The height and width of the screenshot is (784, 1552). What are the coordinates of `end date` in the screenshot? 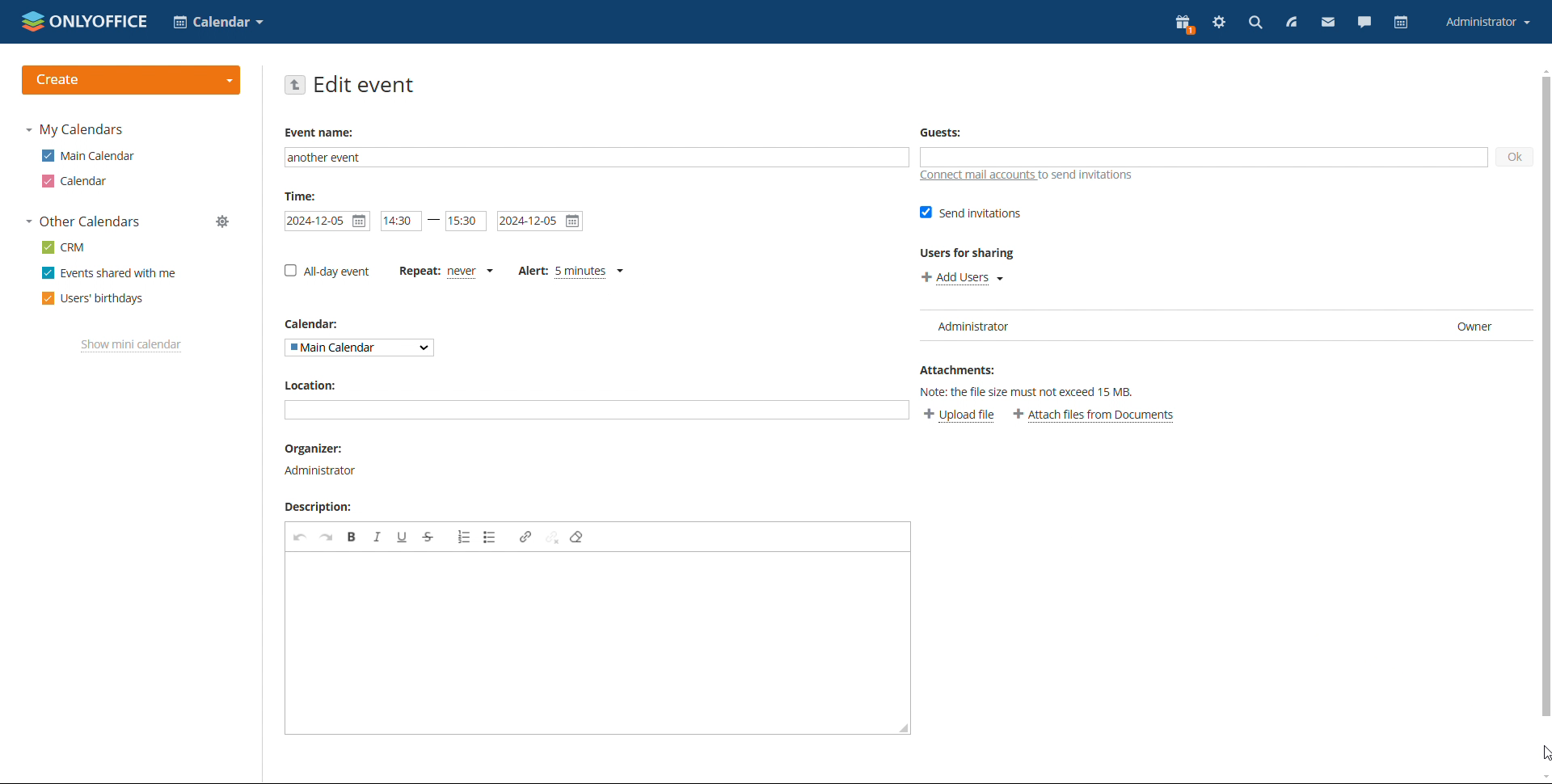 It's located at (541, 221).